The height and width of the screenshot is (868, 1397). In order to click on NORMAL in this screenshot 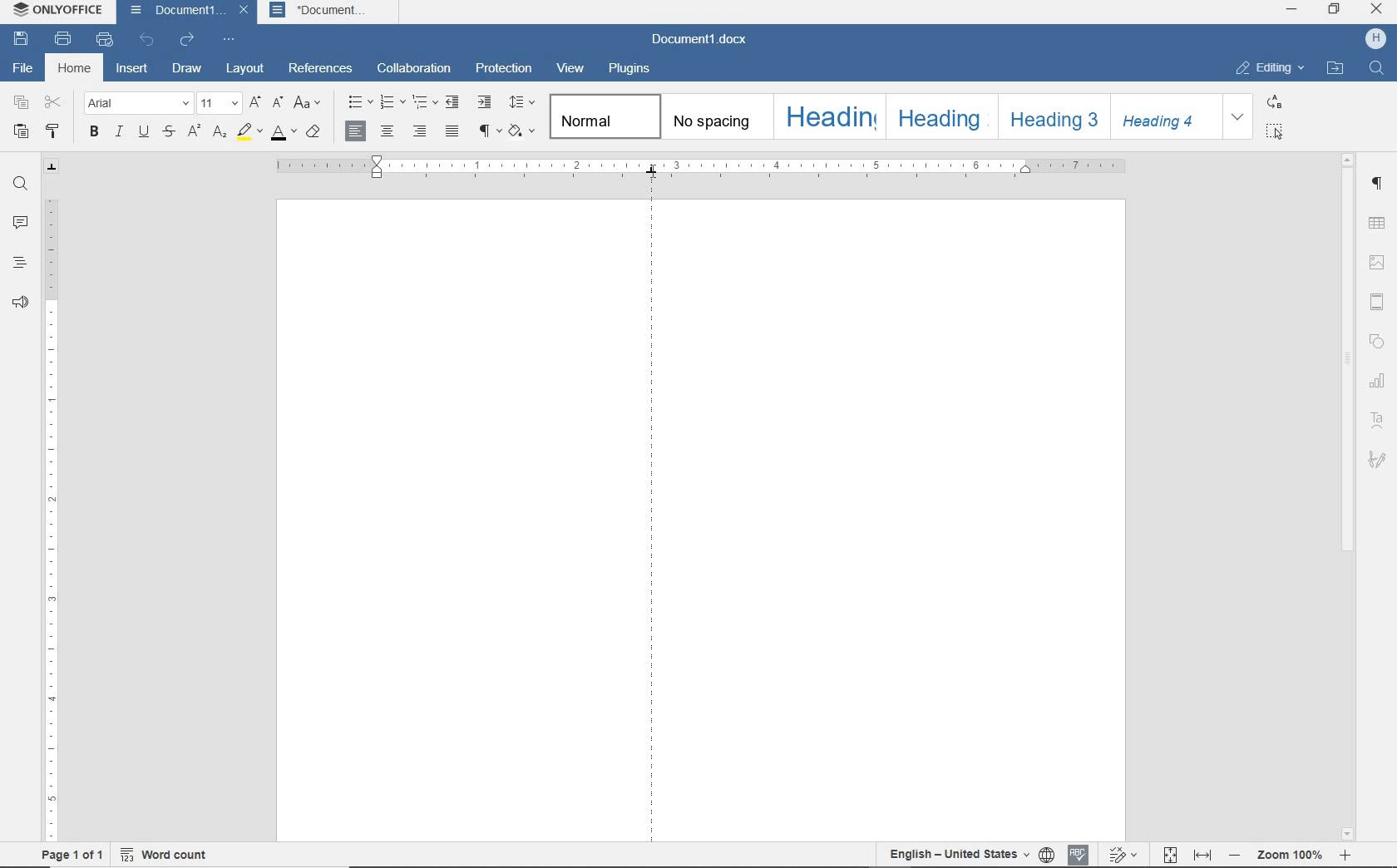, I will do `click(601, 116)`.